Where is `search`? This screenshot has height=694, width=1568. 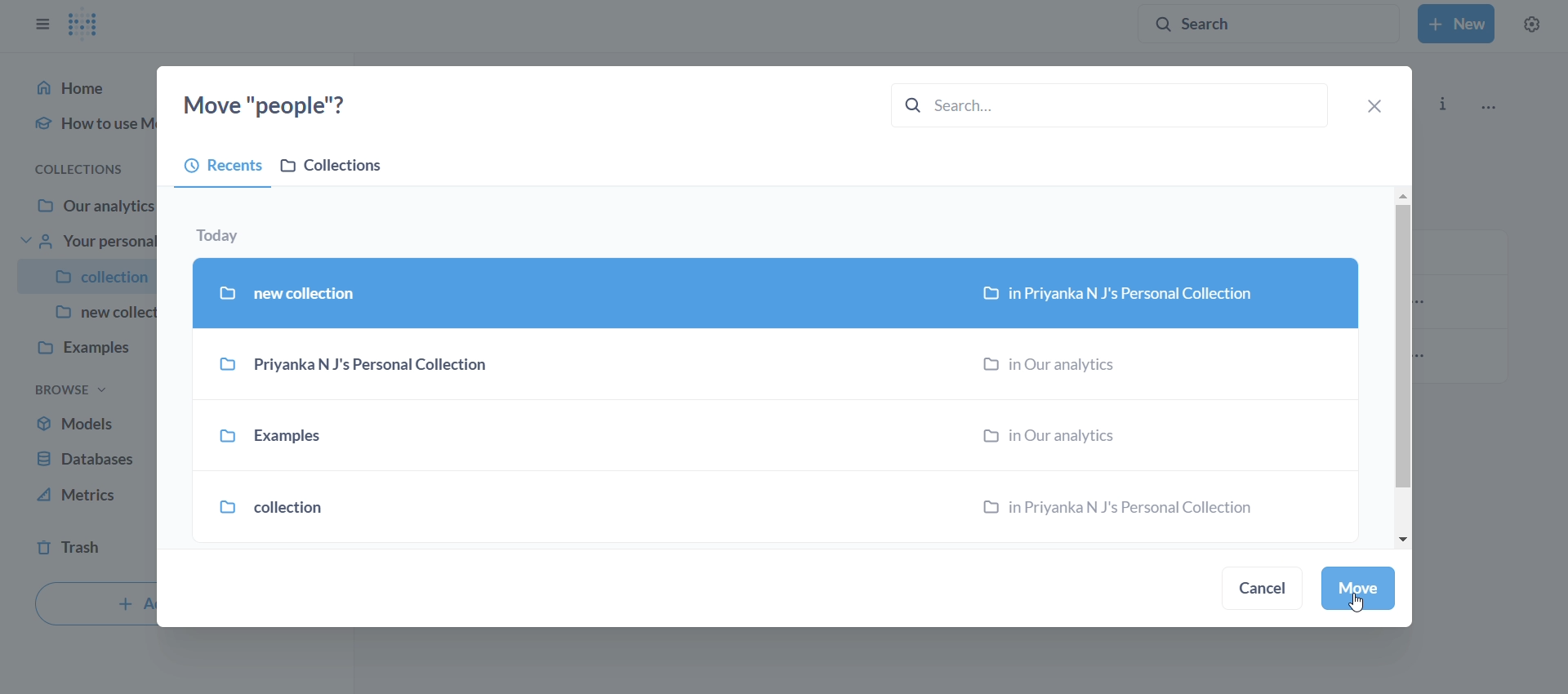
search is located at coordinates (1269, 26).